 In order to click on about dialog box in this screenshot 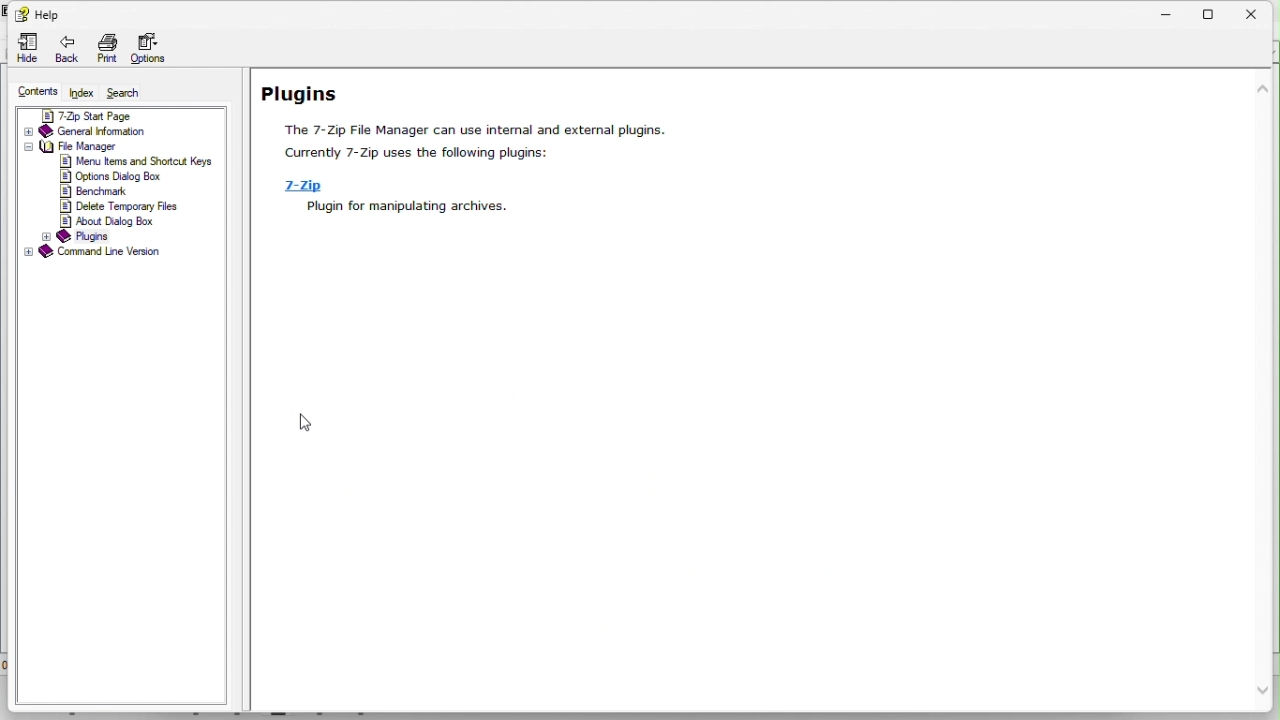, I will do `click(113, 220)`.